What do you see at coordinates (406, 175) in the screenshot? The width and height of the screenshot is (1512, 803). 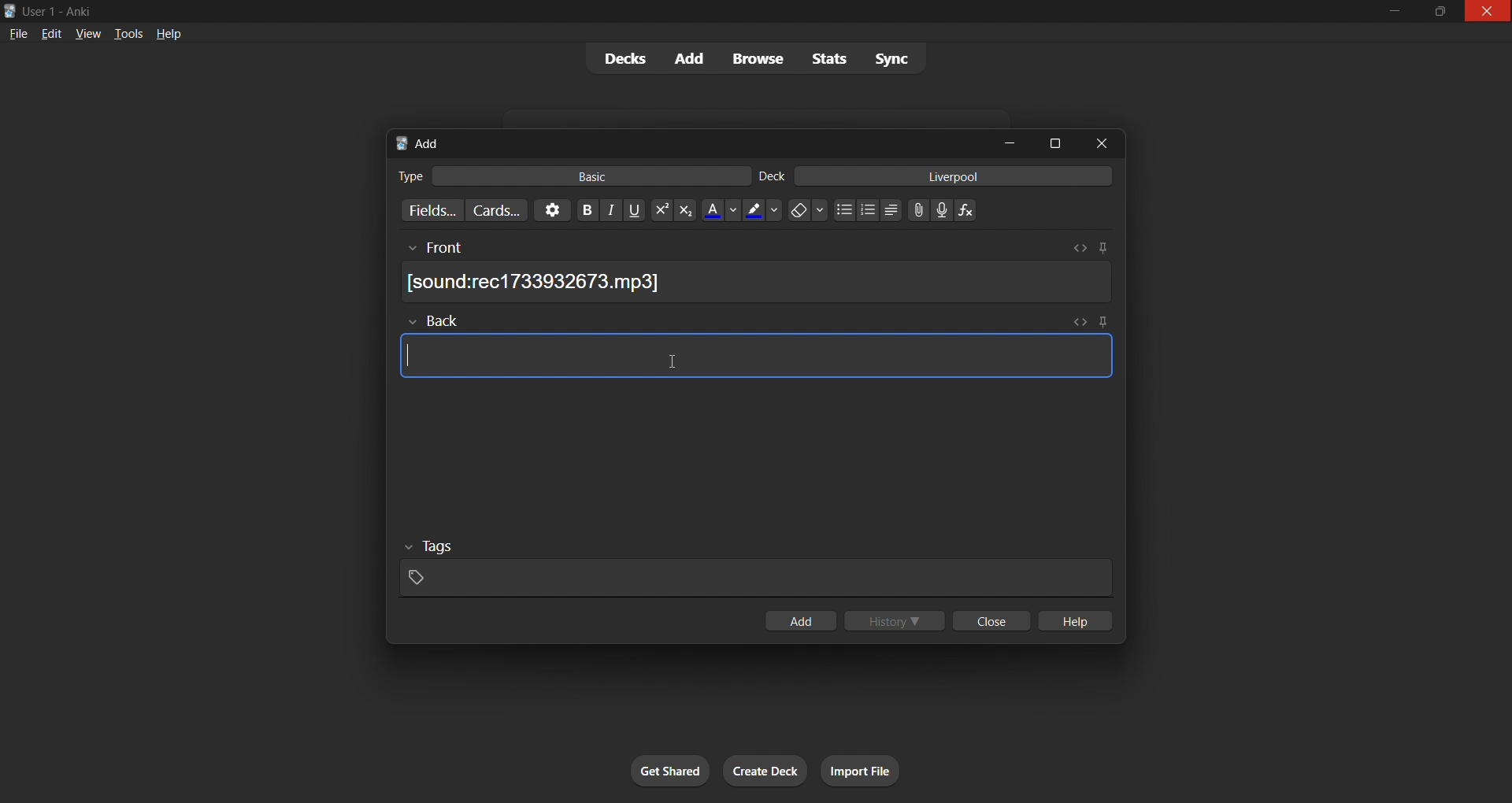 I see `card type ` at bounding box center [406, 175].